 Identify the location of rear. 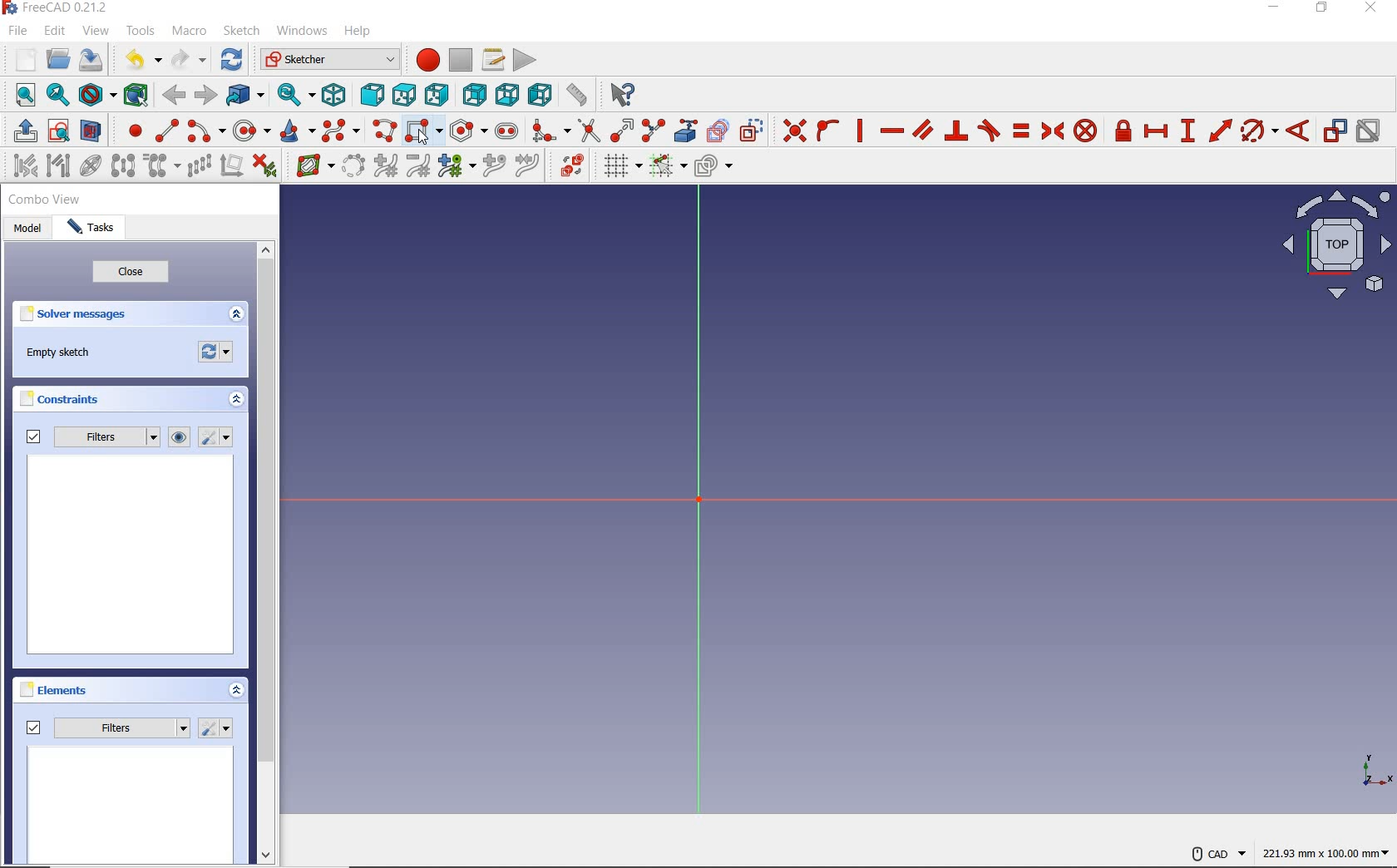
(474, 95).